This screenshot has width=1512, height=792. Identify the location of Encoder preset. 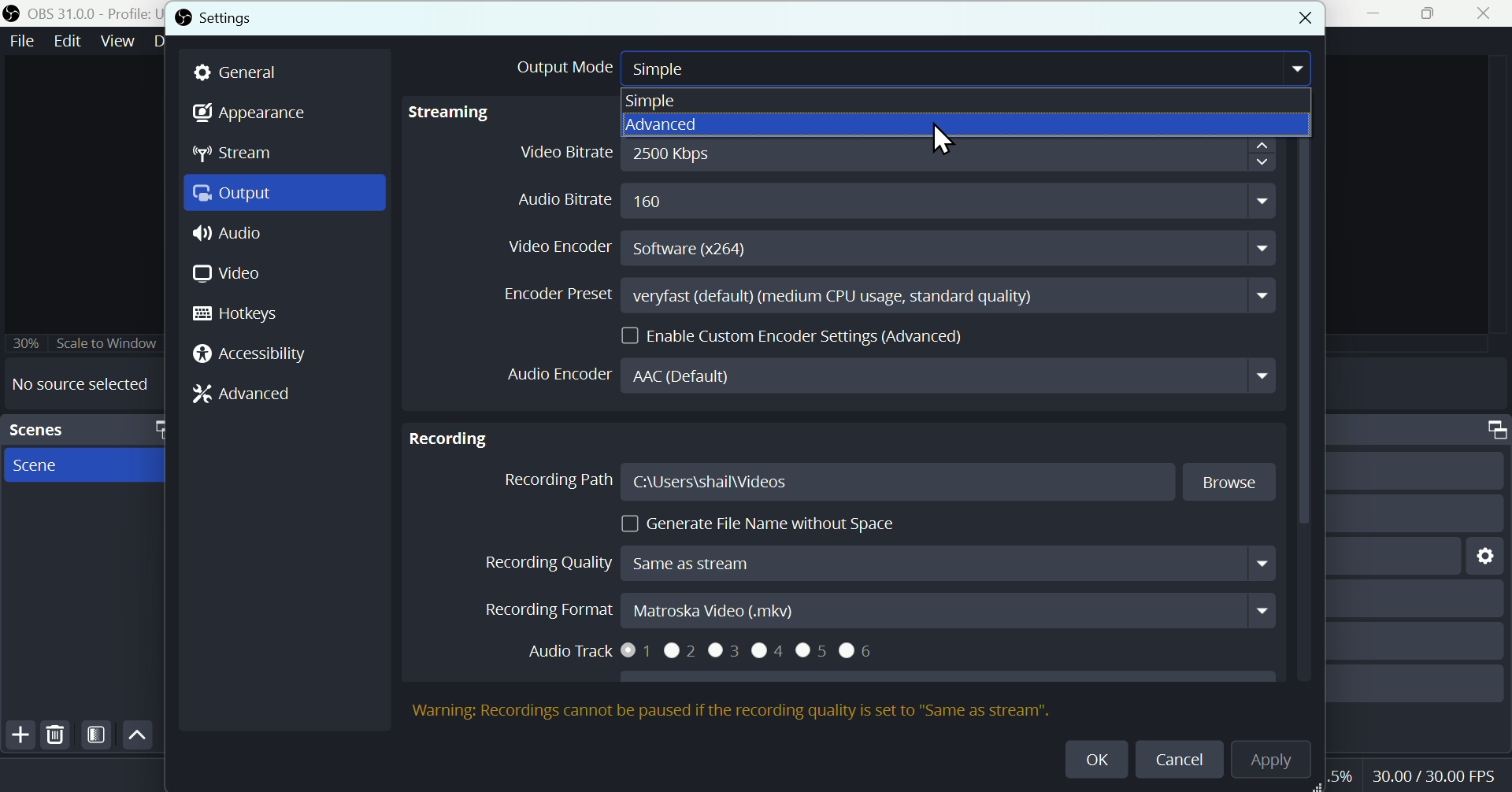
(873, 294).